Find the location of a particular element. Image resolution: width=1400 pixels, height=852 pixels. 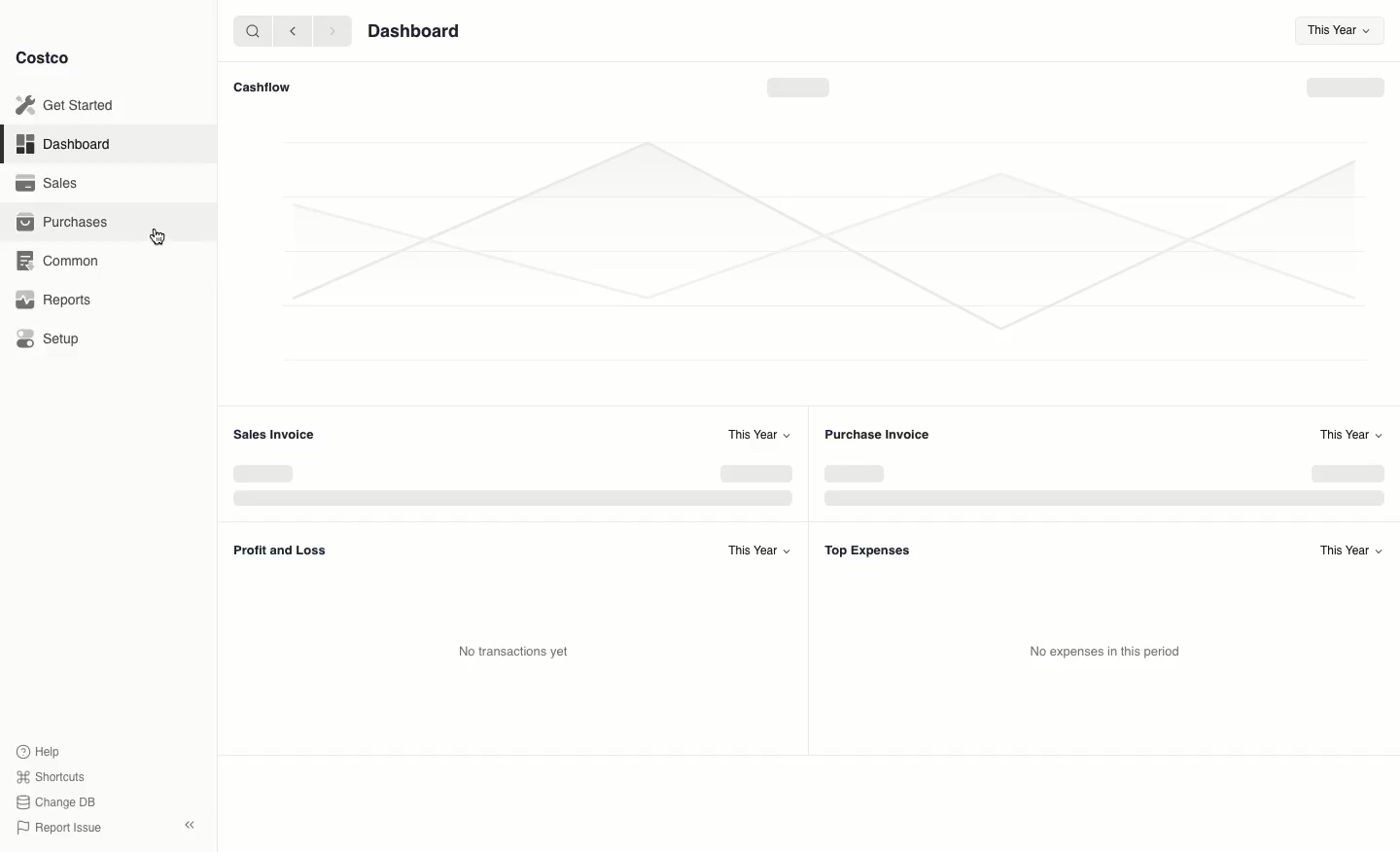

No transactions yet is located at coordinates (518, 651).